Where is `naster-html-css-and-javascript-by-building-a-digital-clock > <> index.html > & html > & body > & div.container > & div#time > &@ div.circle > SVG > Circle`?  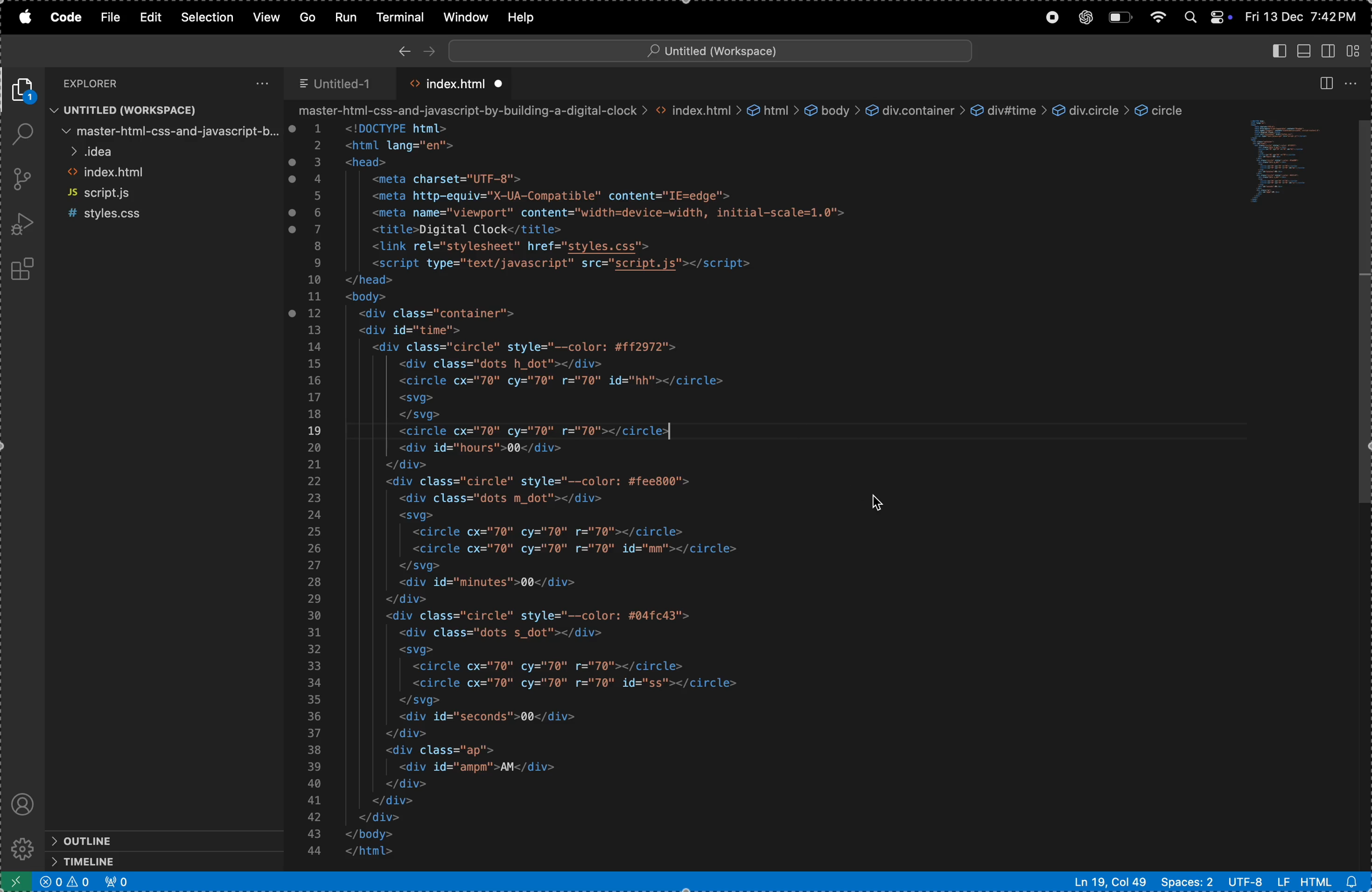
naster-html-css-and-javascript-by-building-a-digital-clock > <> index.html > & html > & body > & div.container > & div#time > &@ div.circle > SVG > Circle is located at coordinates (764, 111).